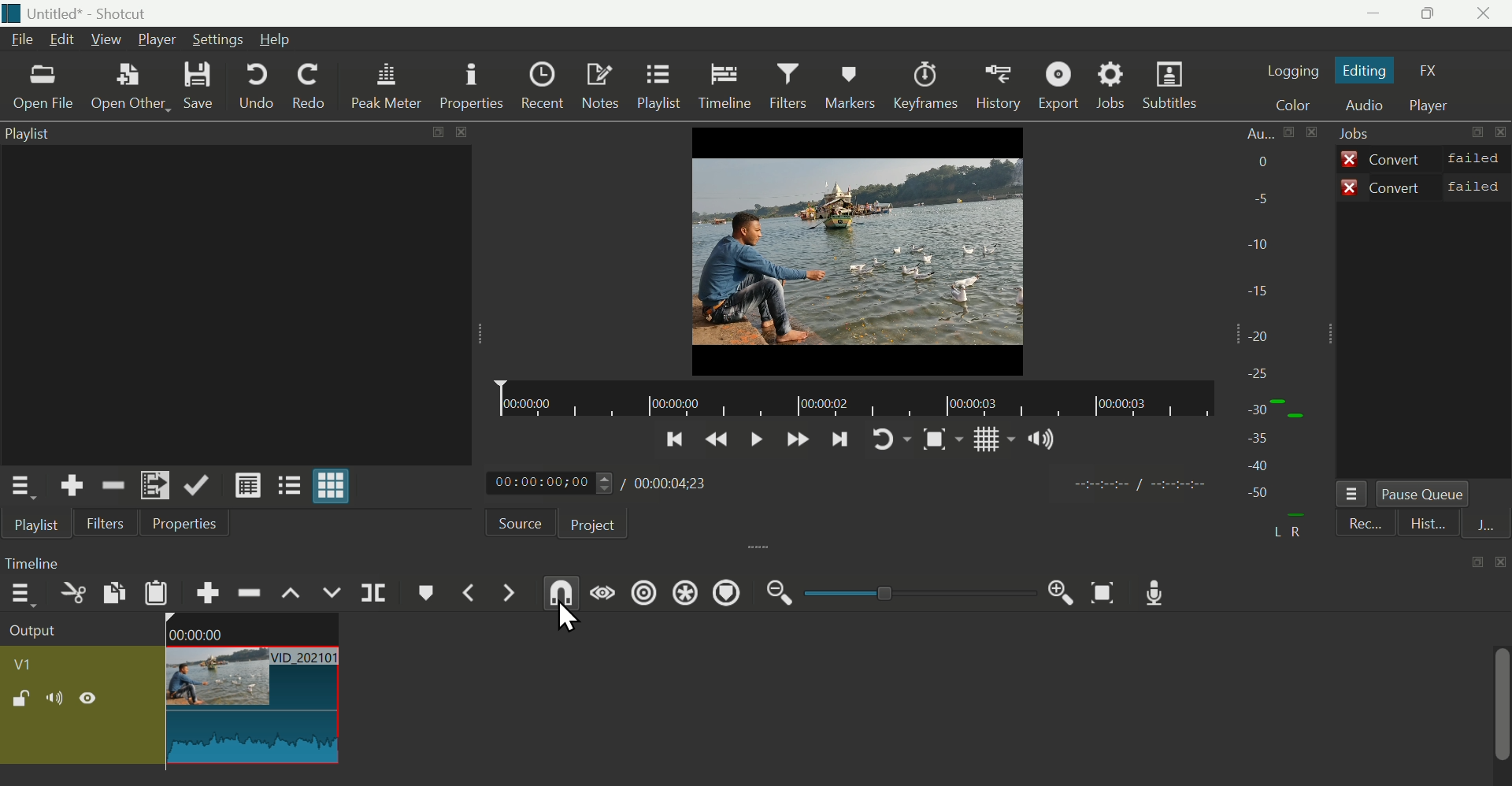  Describe the element at coordinates (211, 87) in the screenshot. I see `Save` at that location.